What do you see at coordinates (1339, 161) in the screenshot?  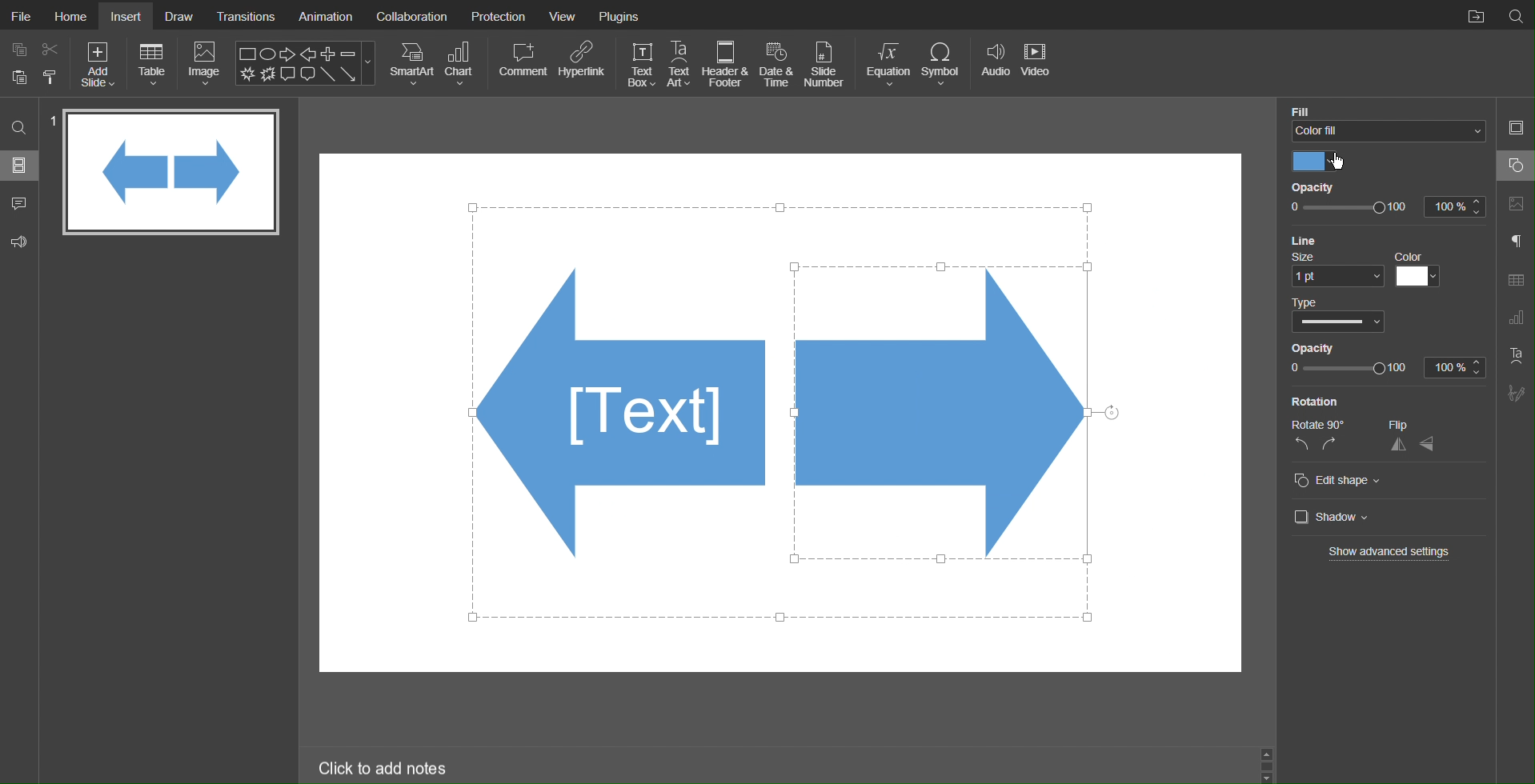 I see `cursor` at bounding box center [1339, 161].